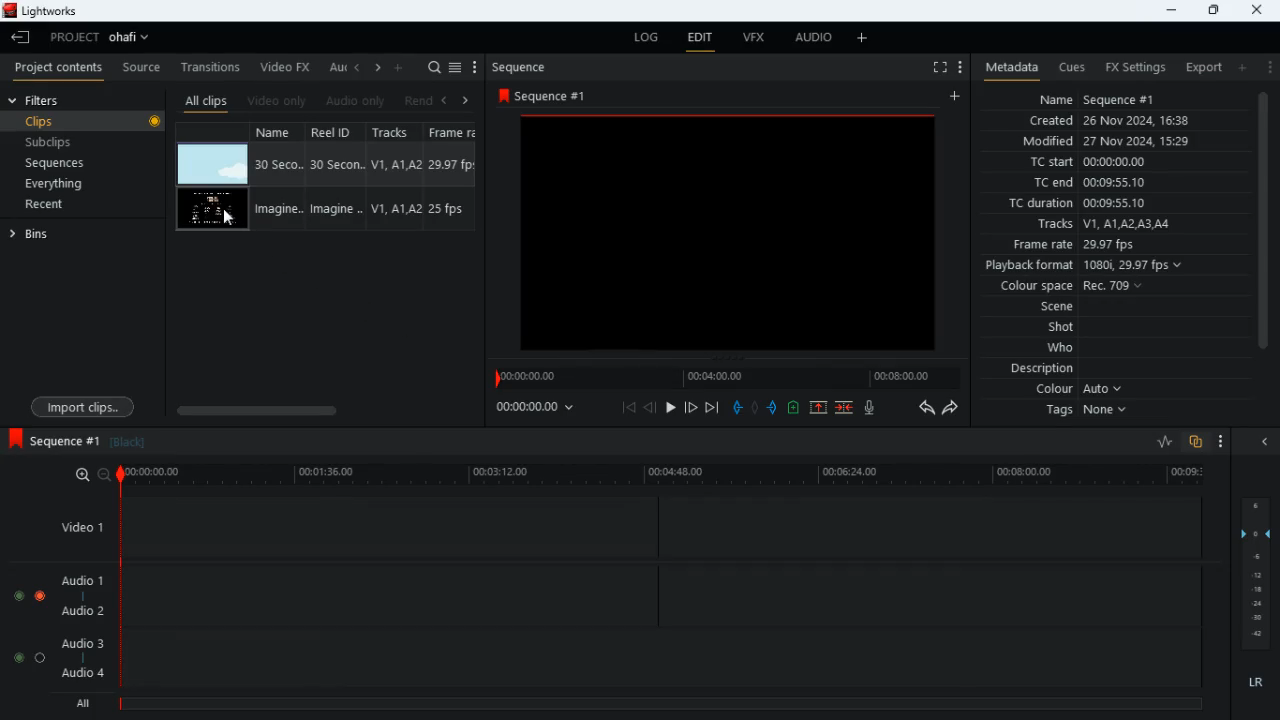  I want to click on menu, so click(475, 68).